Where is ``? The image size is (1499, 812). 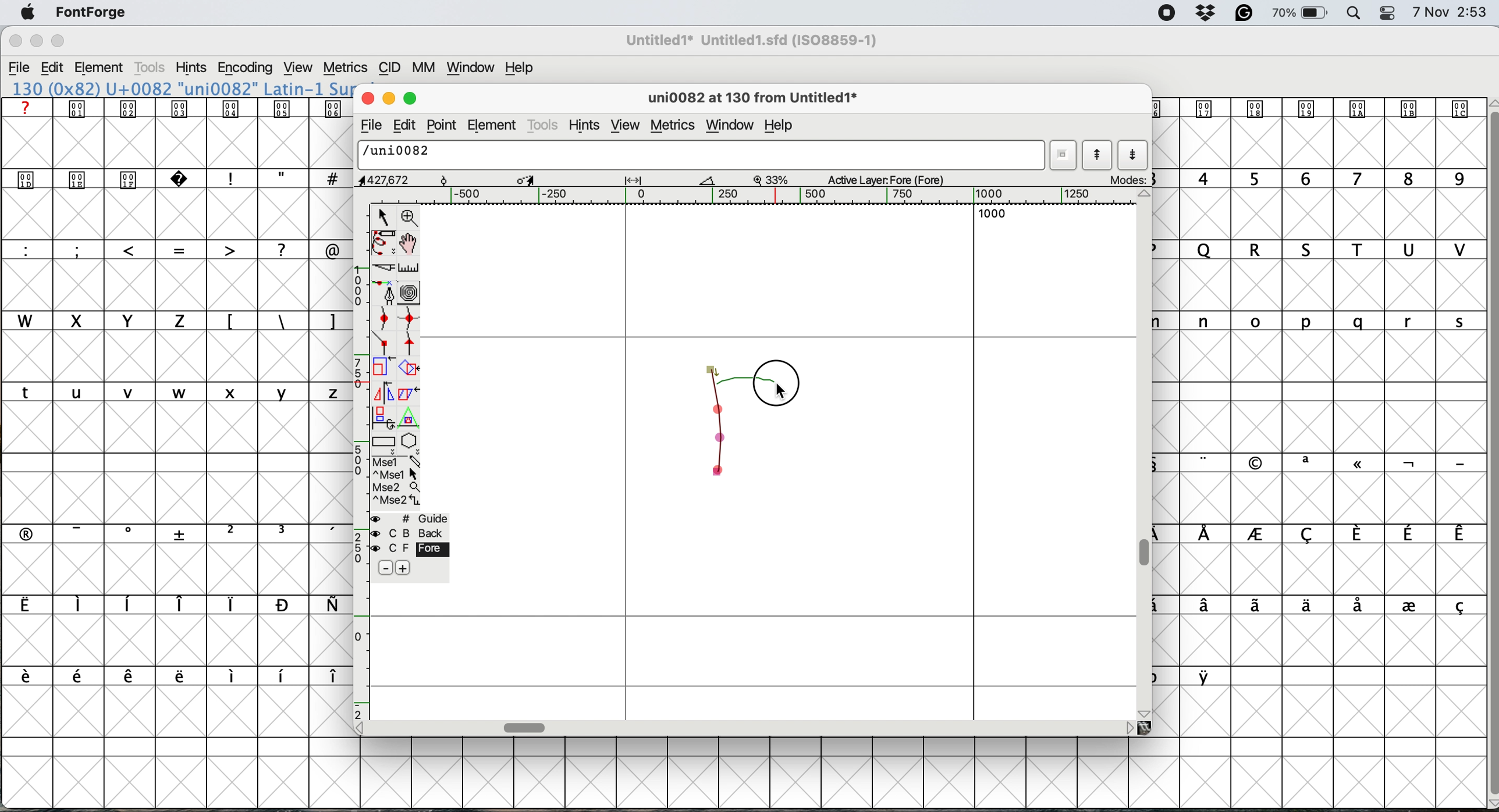
 is located at coordinates (59, 26).